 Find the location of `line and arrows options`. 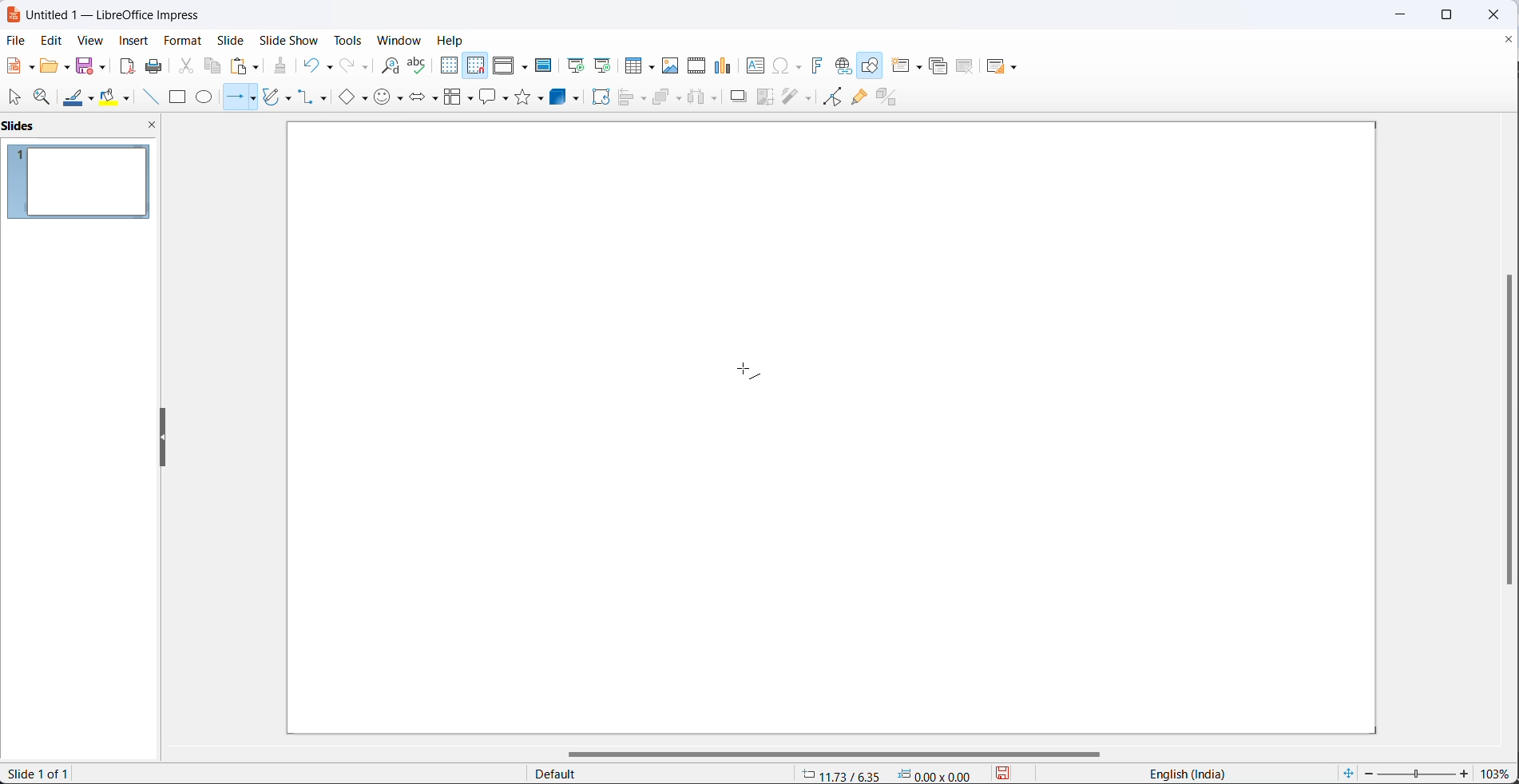

line and arrows options is located at coordinates (256, 99).